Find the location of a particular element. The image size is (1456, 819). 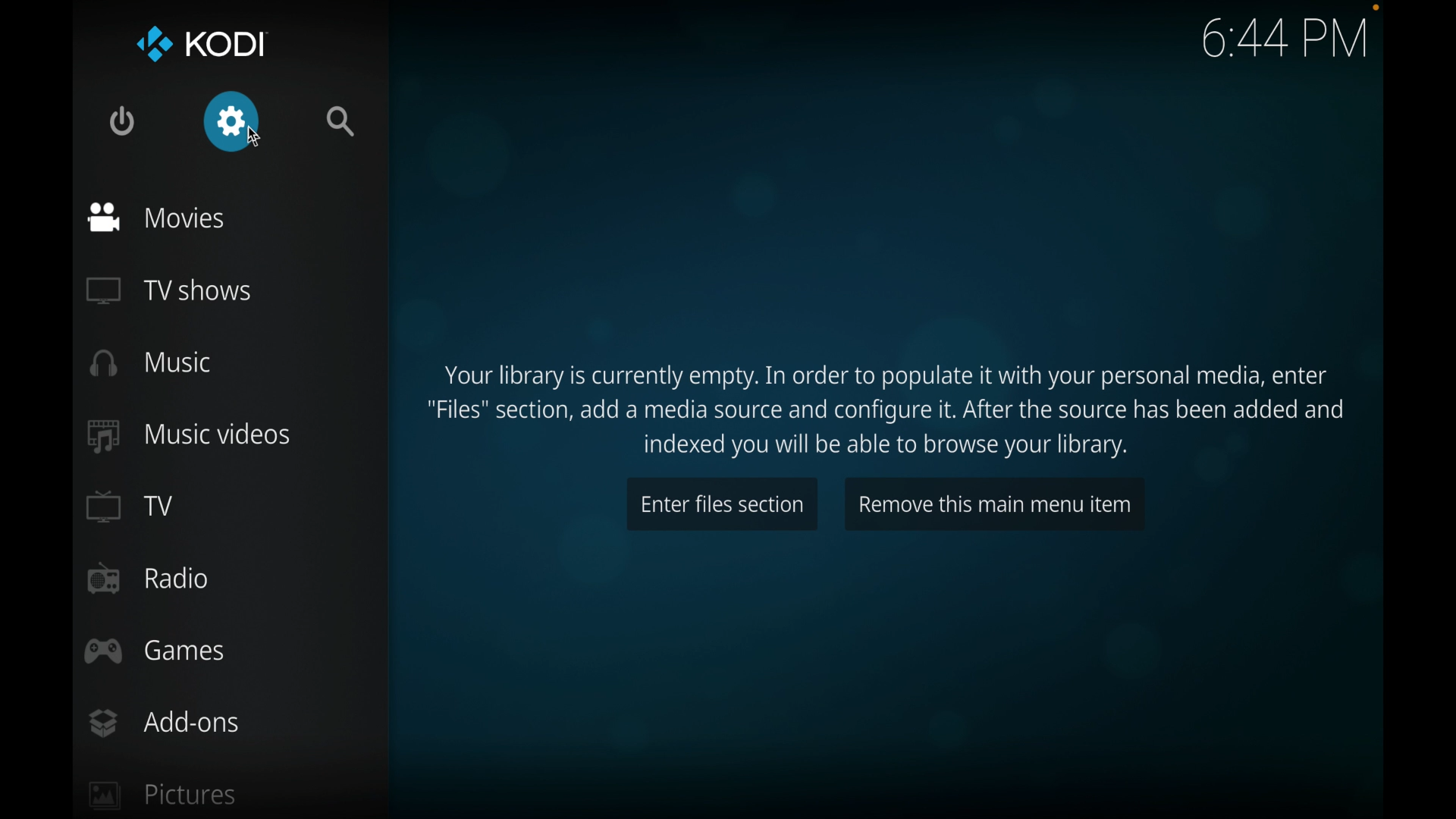

mouse pointer is located at coordinates (255, 133).